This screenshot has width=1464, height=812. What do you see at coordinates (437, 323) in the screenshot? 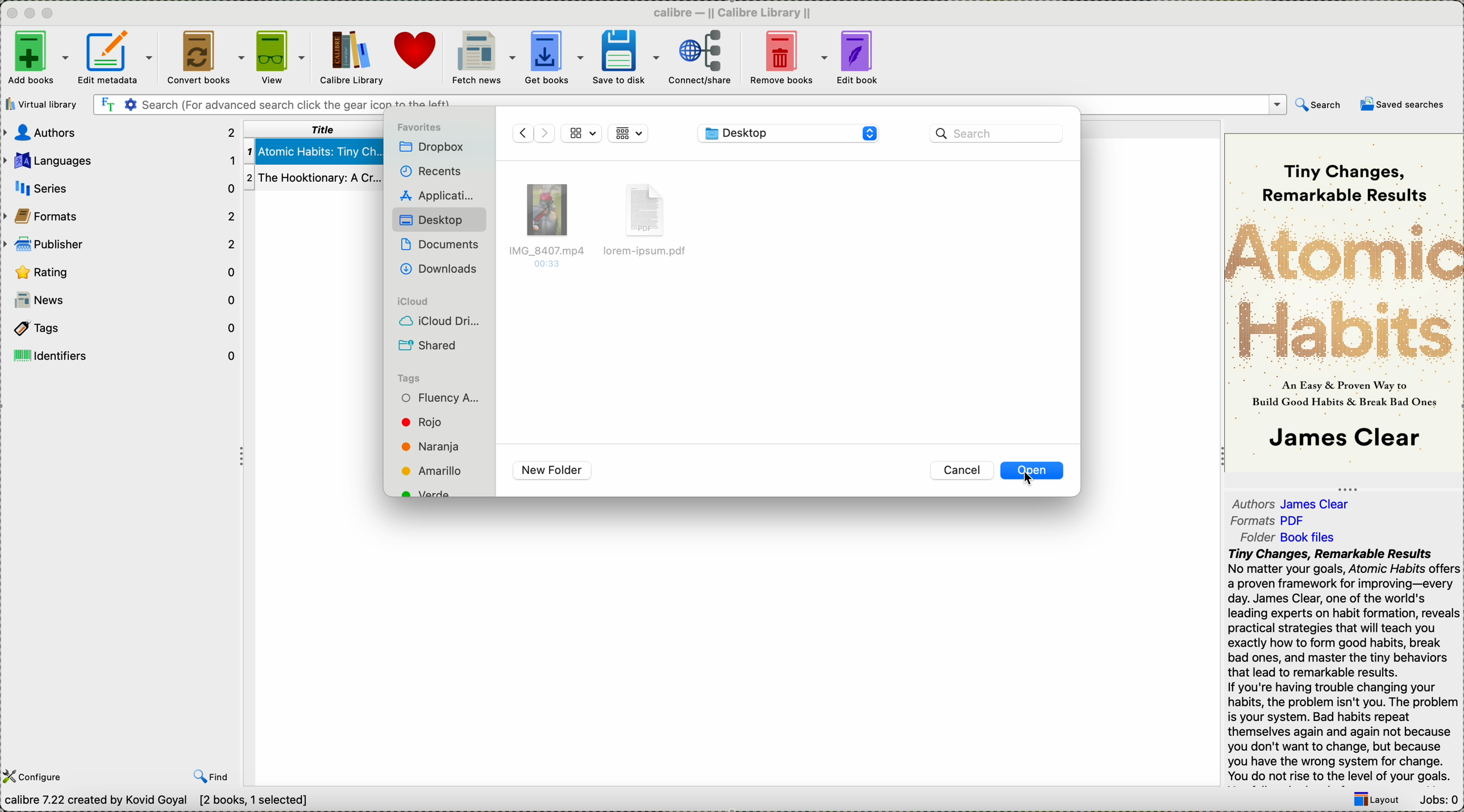
I see `icloud drive` at bounding box center [437, 323].